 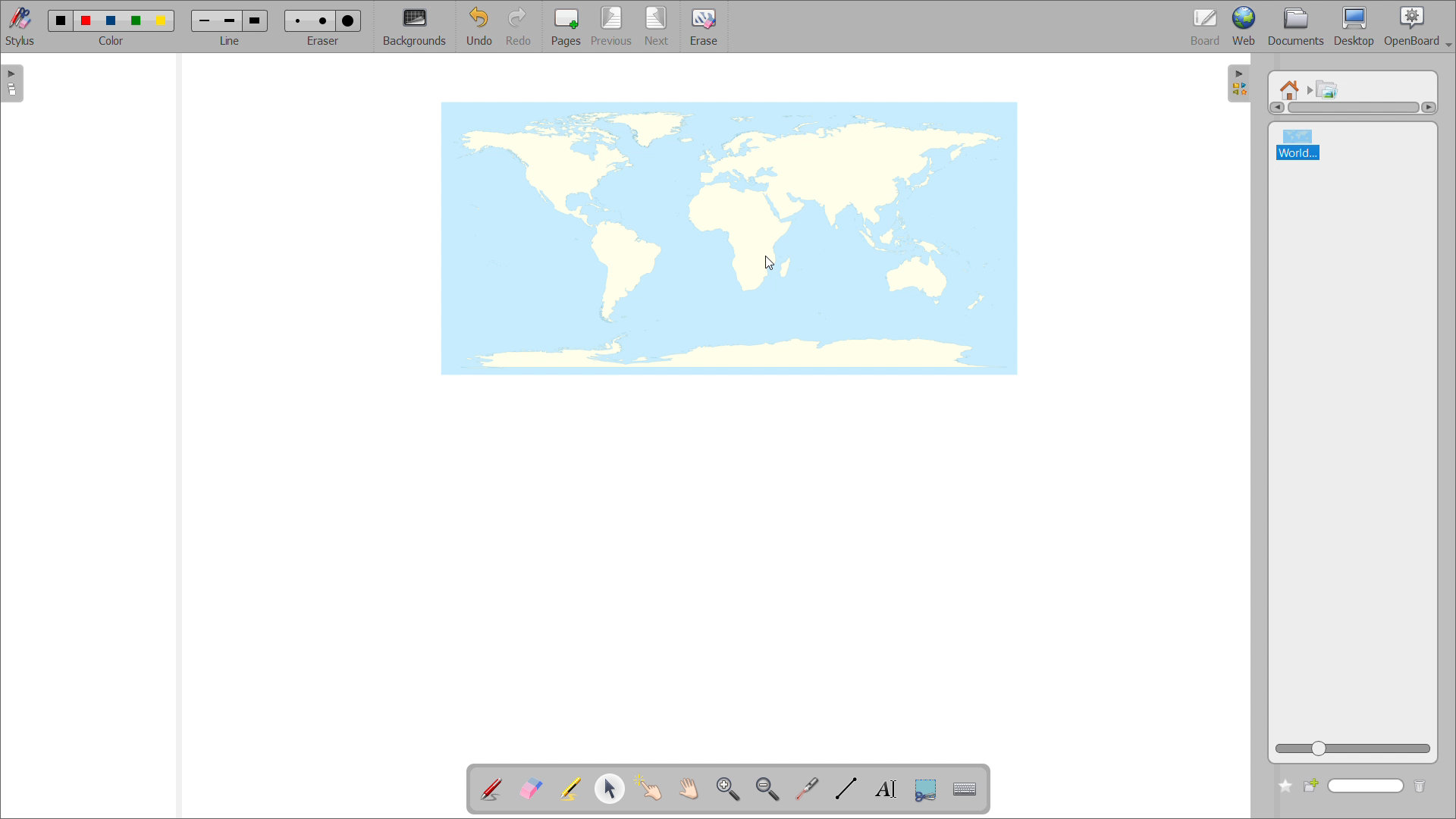 What do you see at coordinates (1365, 786) in the screenshot?
I see `search` at bounding box center [1365, 786].